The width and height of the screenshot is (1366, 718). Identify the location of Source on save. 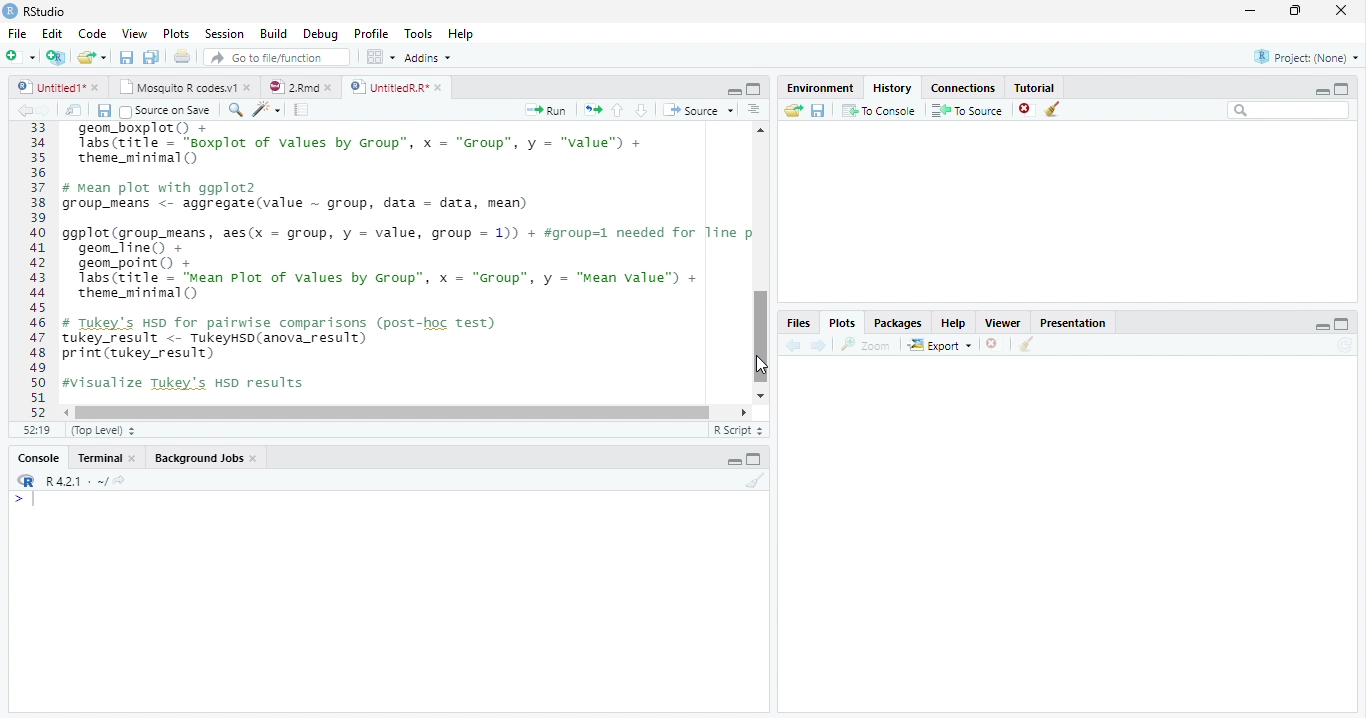
(169, 111).